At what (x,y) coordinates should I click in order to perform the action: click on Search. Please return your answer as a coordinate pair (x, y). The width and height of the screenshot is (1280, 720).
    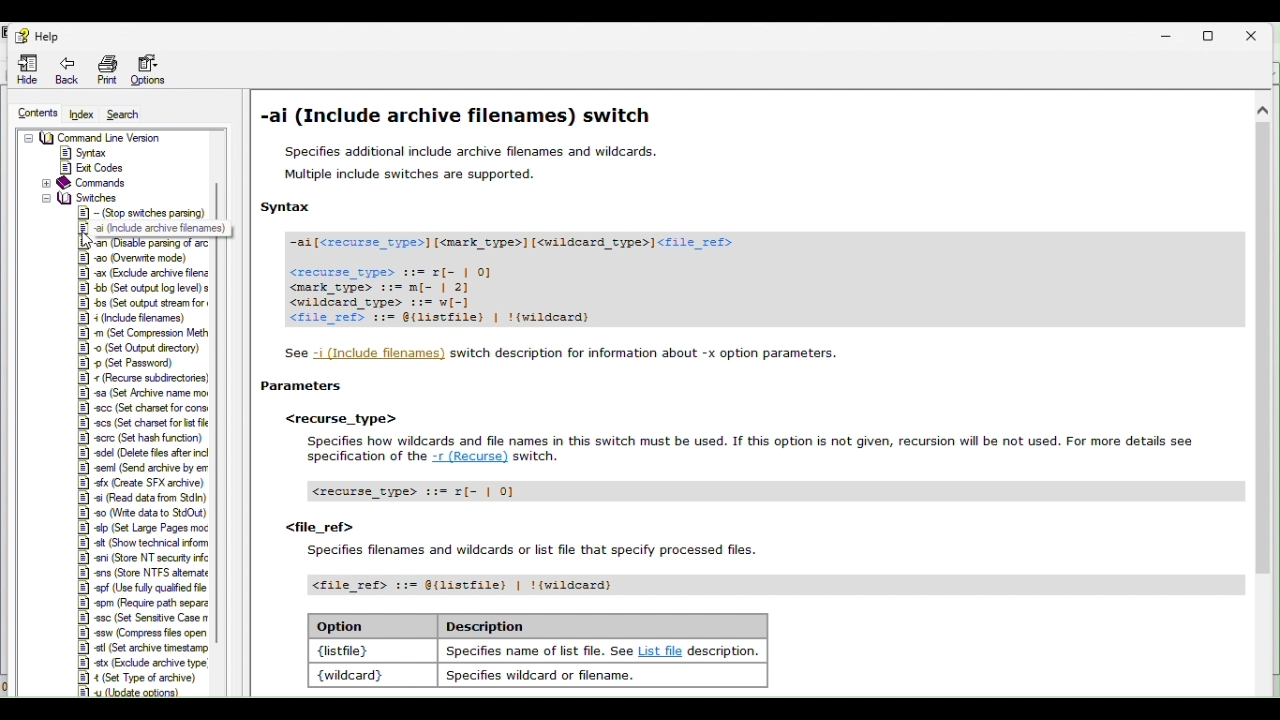
    Looking at the image, I should click on (123, 111).